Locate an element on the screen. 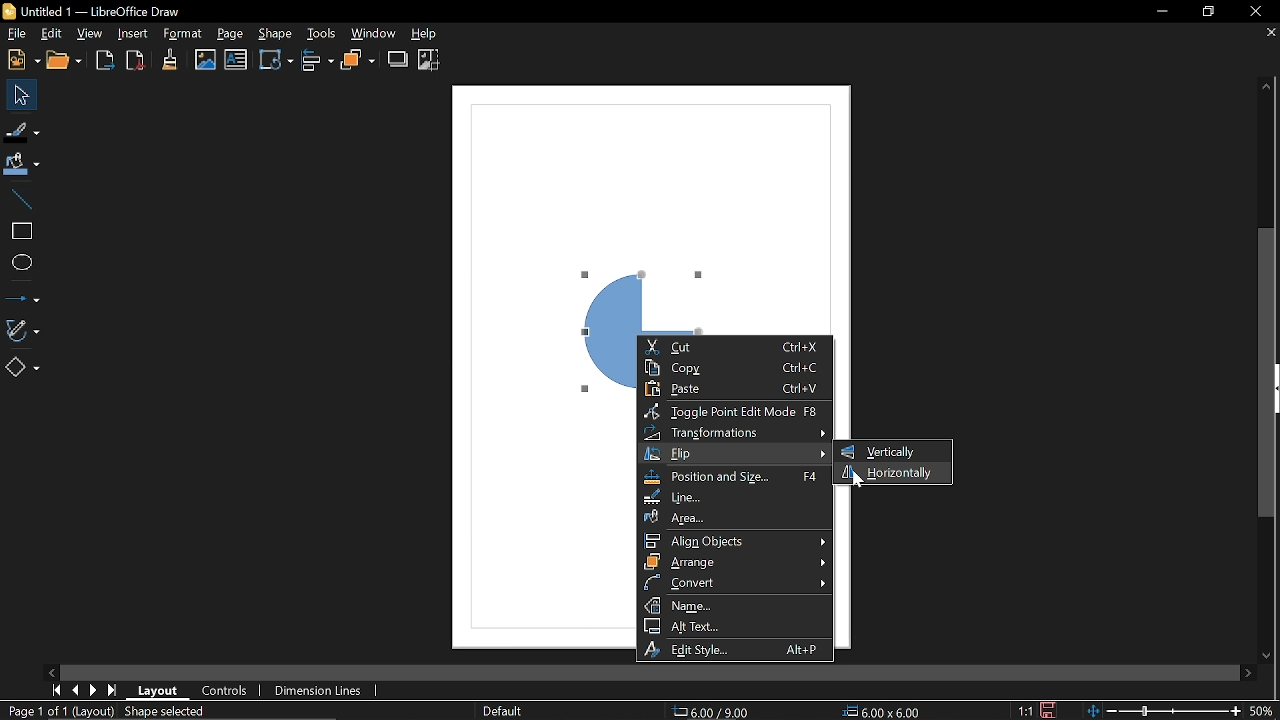 The image size is (1280, 720). Next page is located at coordinates (94, 690).